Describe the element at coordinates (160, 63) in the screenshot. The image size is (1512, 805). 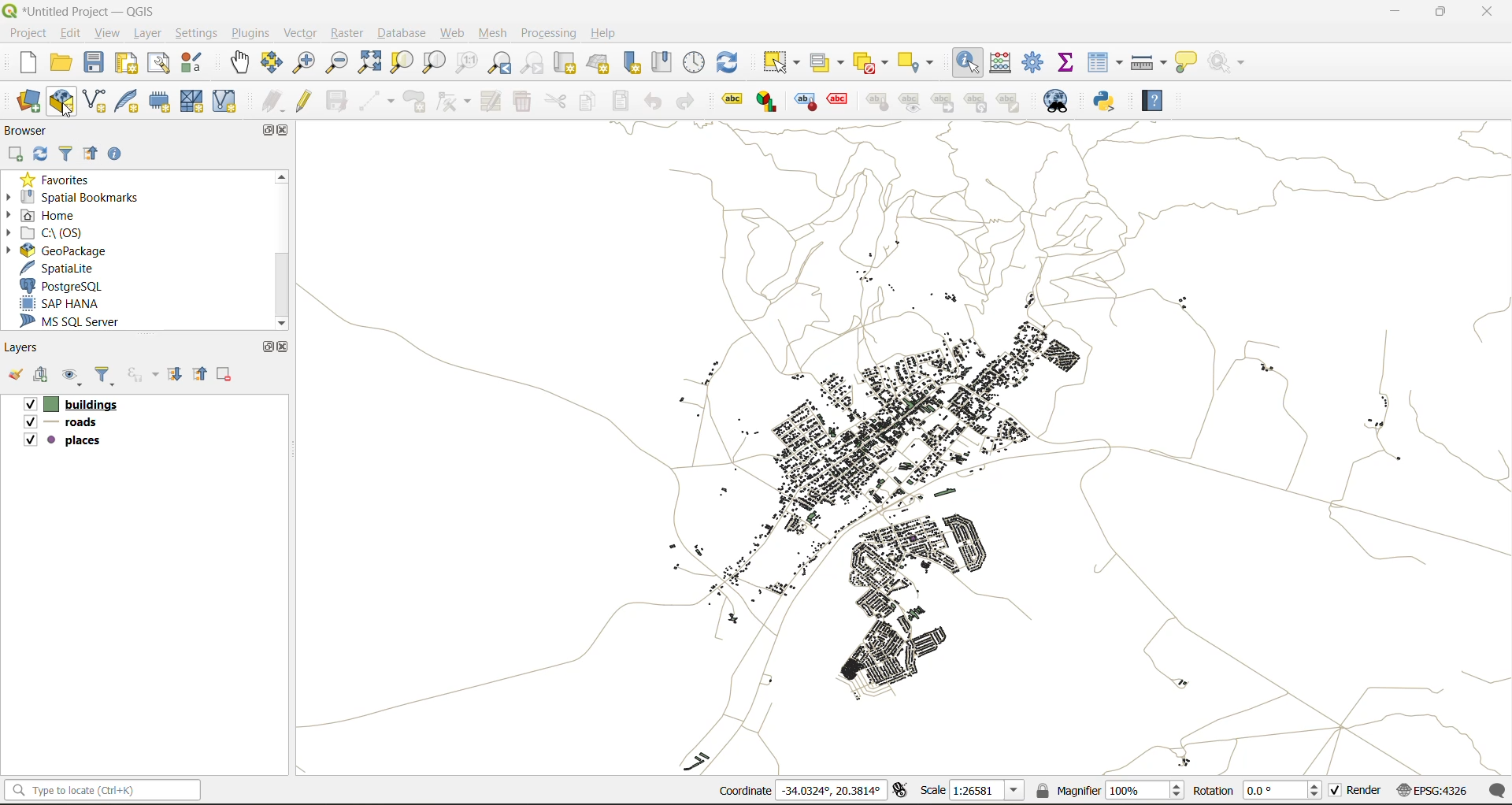
I see `show layout` at that location.